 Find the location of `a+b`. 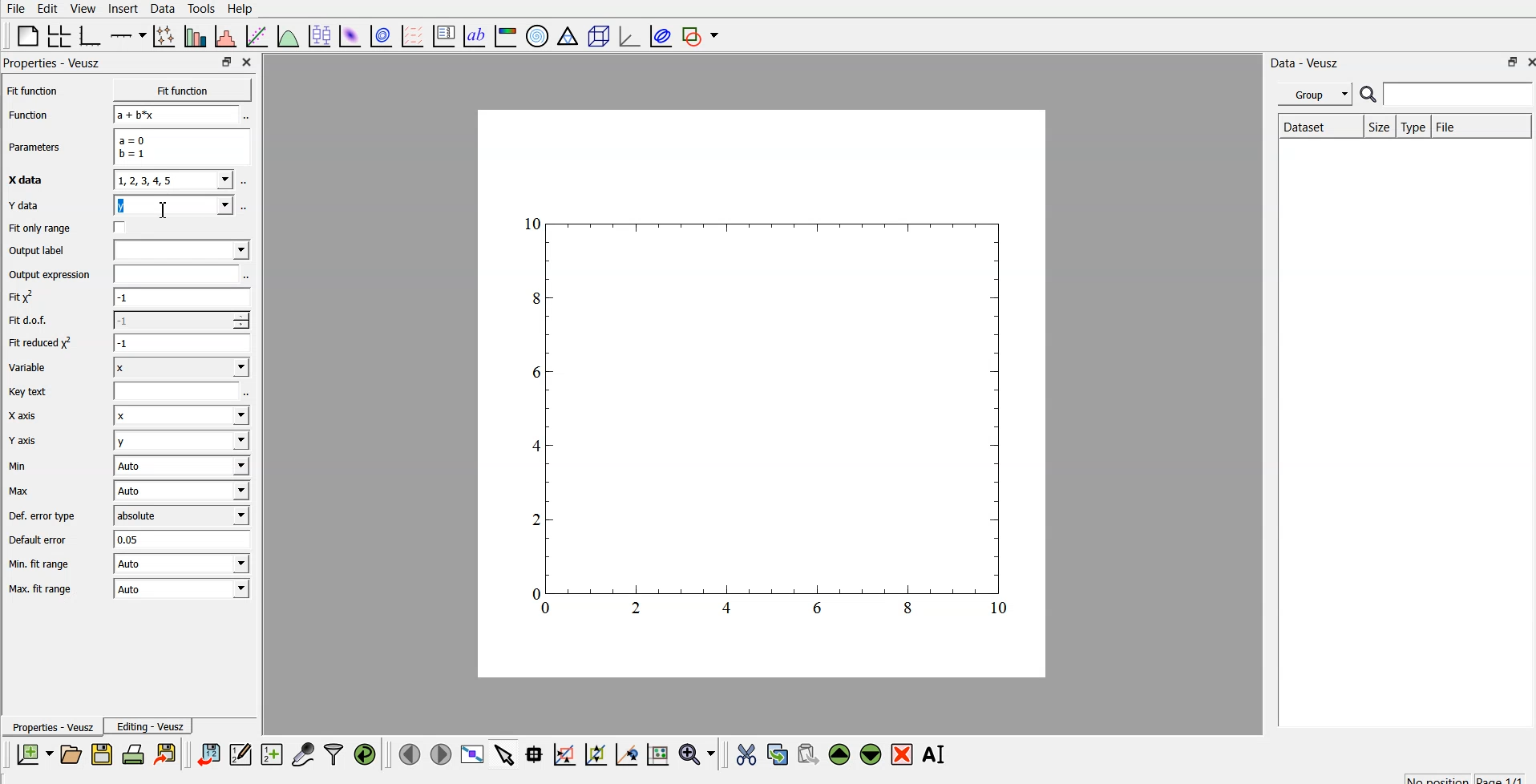

a+b is located at coordinates (175, 115).